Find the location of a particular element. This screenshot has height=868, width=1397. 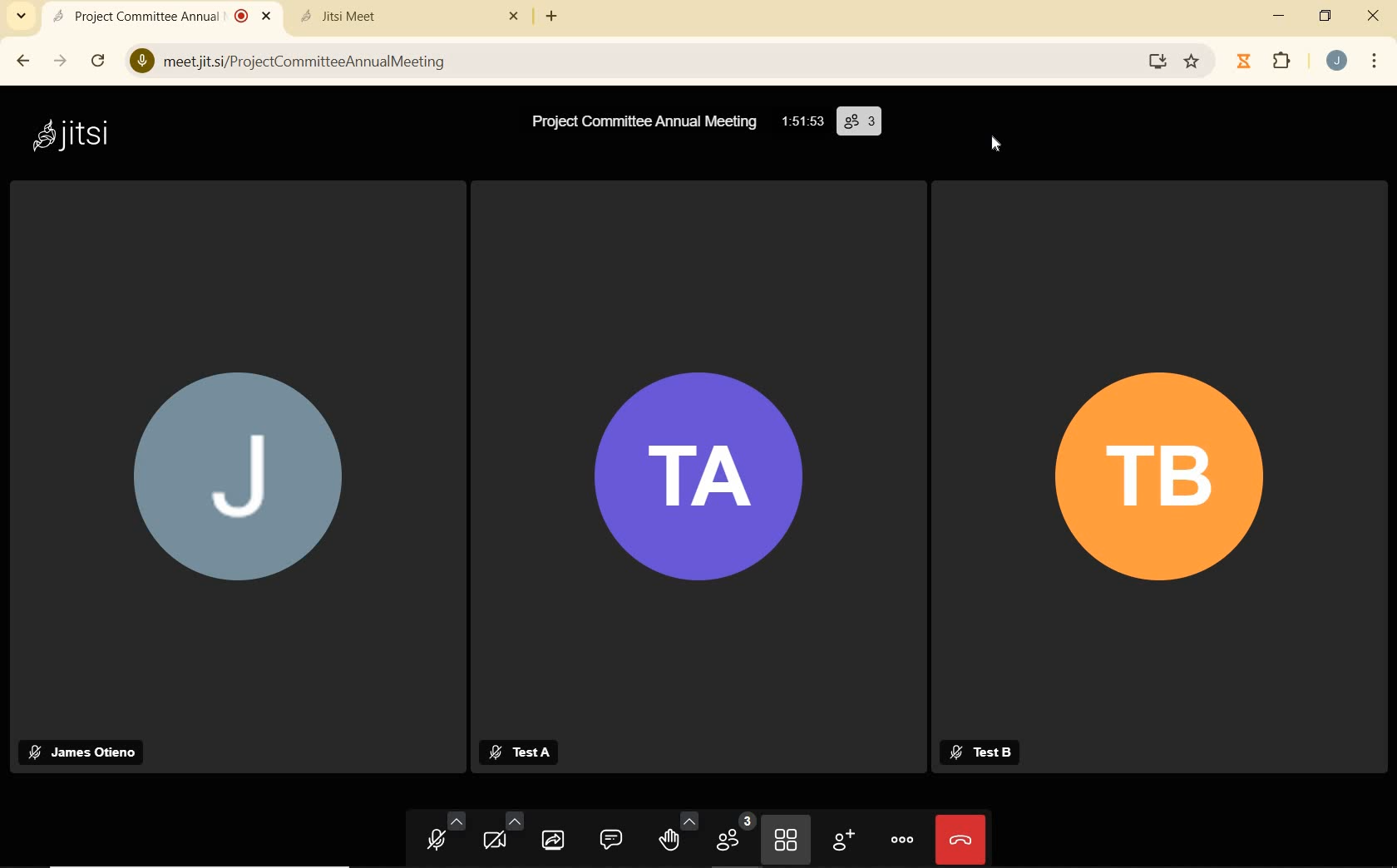

more actions is located at coordinates (900, 839).